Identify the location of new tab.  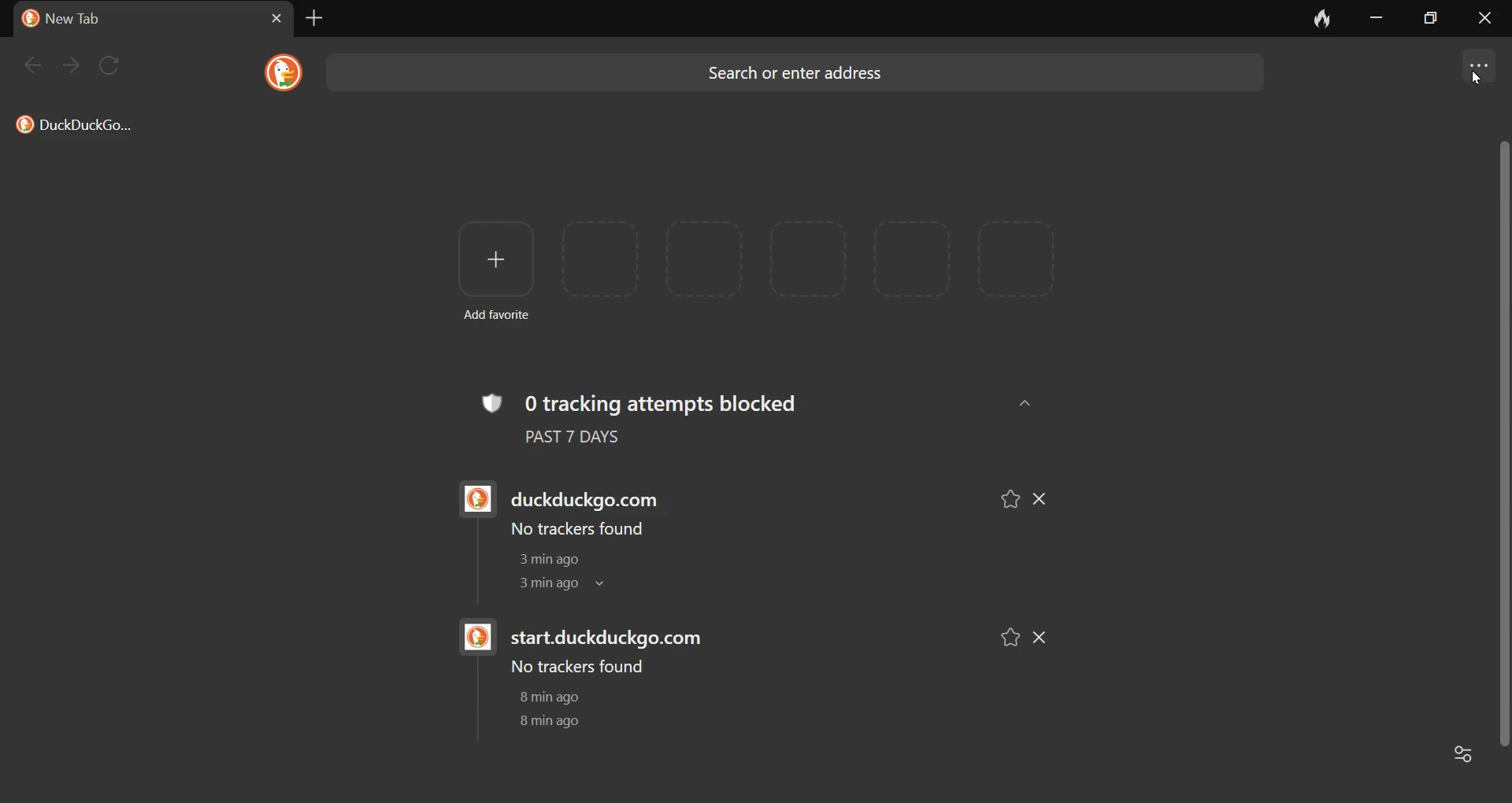
(80, 20).